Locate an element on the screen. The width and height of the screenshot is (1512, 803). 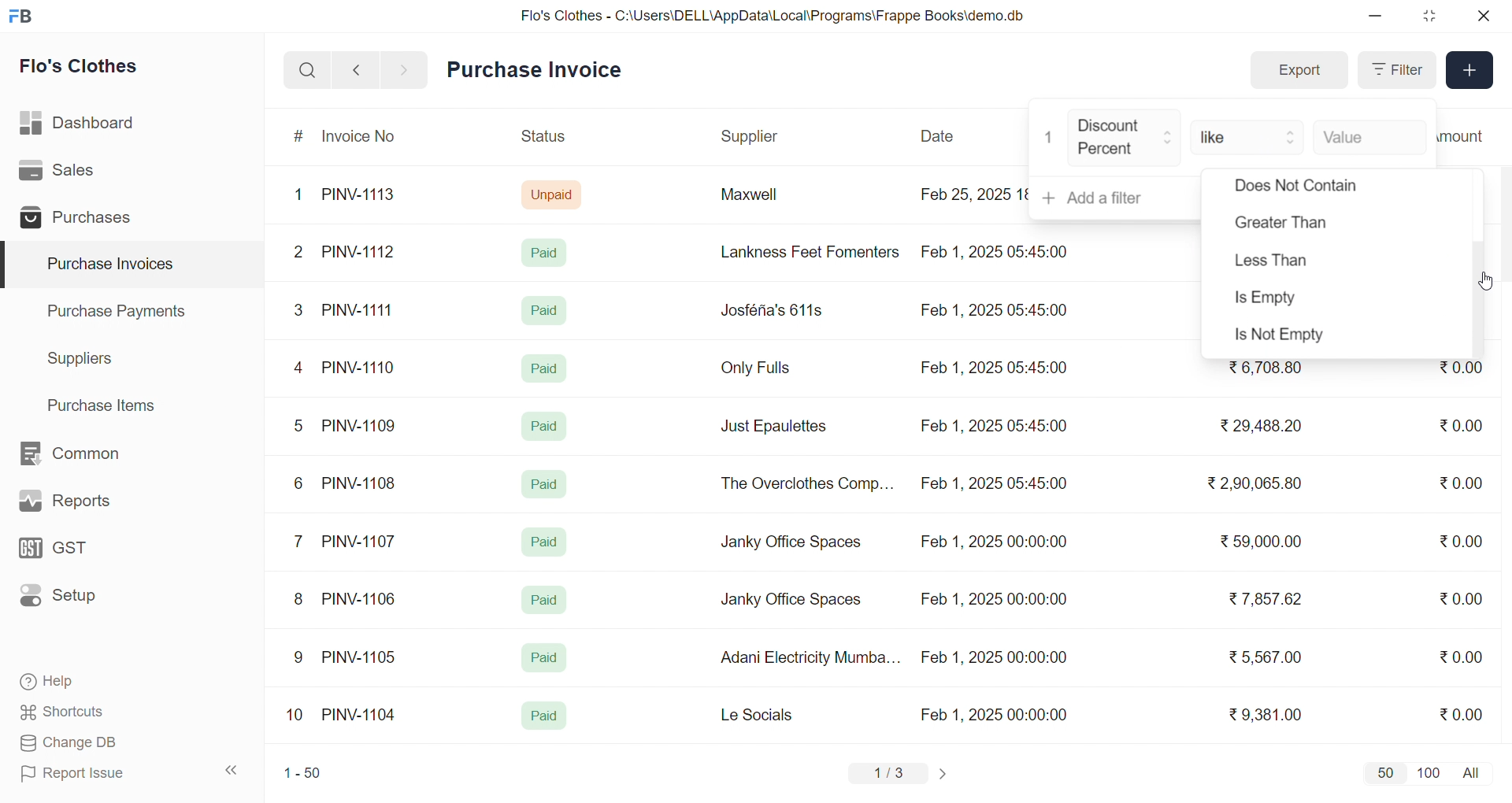
change page is located at coordinates (945, 773).